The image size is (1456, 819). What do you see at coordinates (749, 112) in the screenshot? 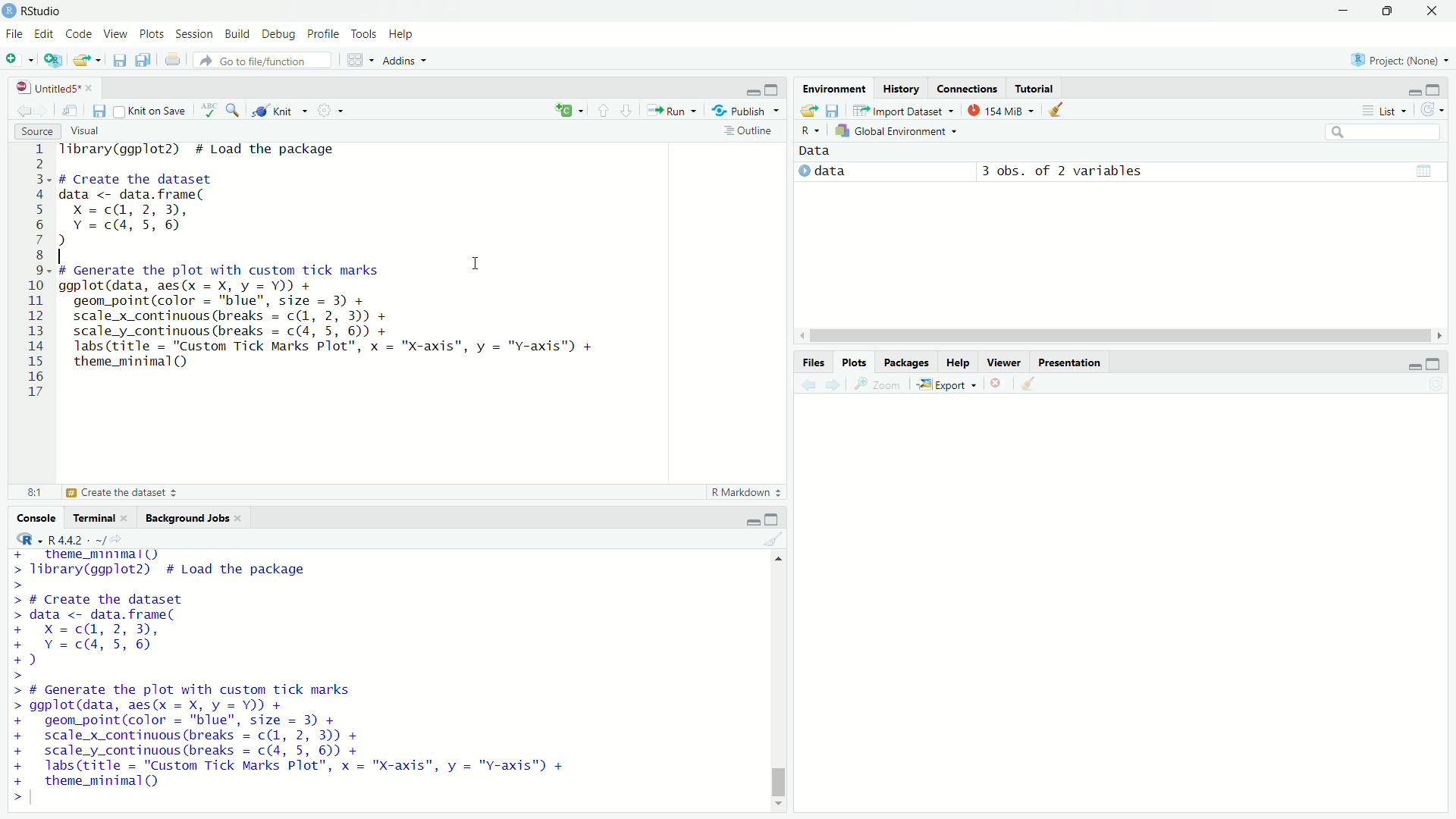
I see `publish` at bounding box center [749, 112].